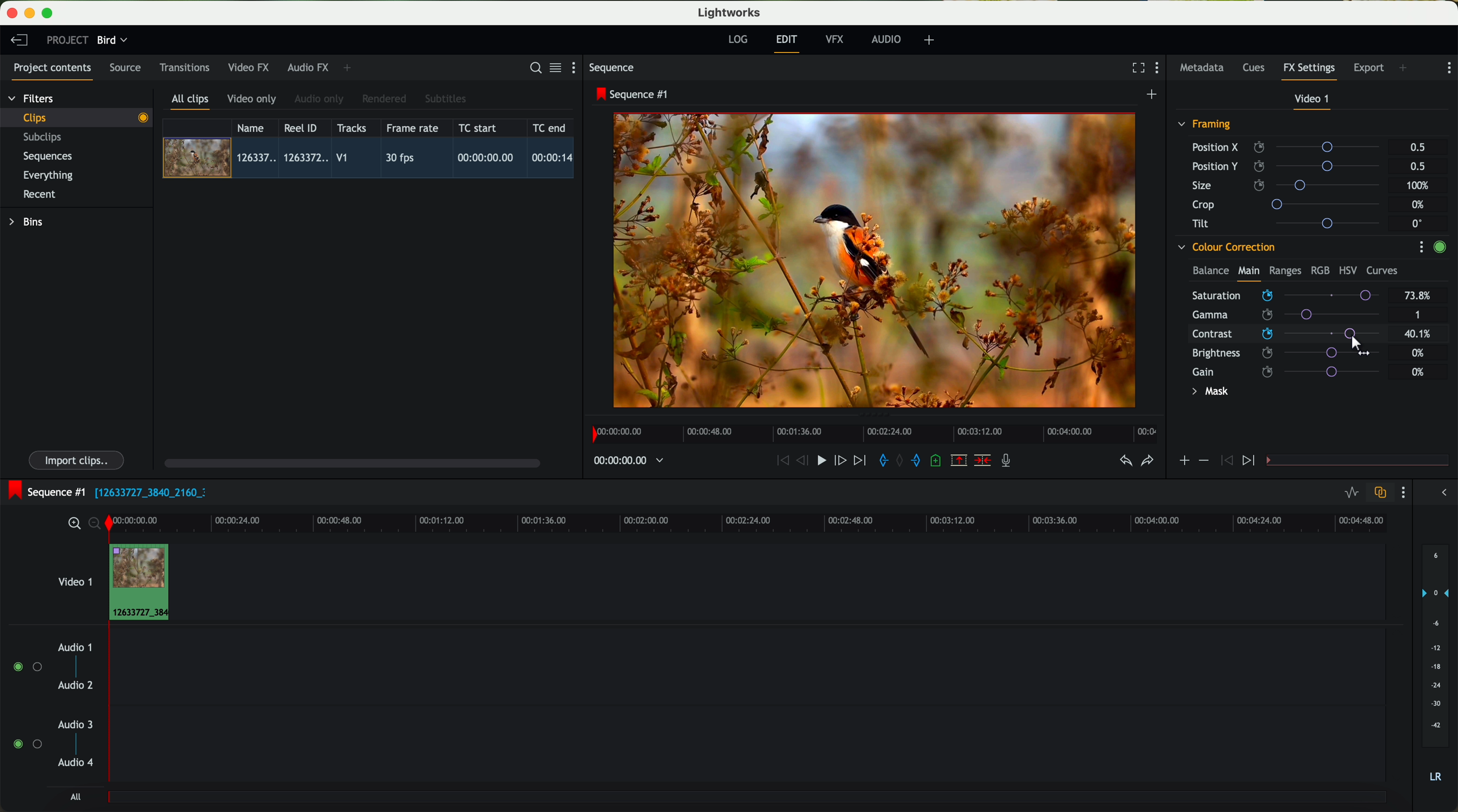 The width and height of the screenshot is (1458, 812). What do you see at coordinates (821, 459) in the screenshot?
I see `play` at bounding box center [821, 459].